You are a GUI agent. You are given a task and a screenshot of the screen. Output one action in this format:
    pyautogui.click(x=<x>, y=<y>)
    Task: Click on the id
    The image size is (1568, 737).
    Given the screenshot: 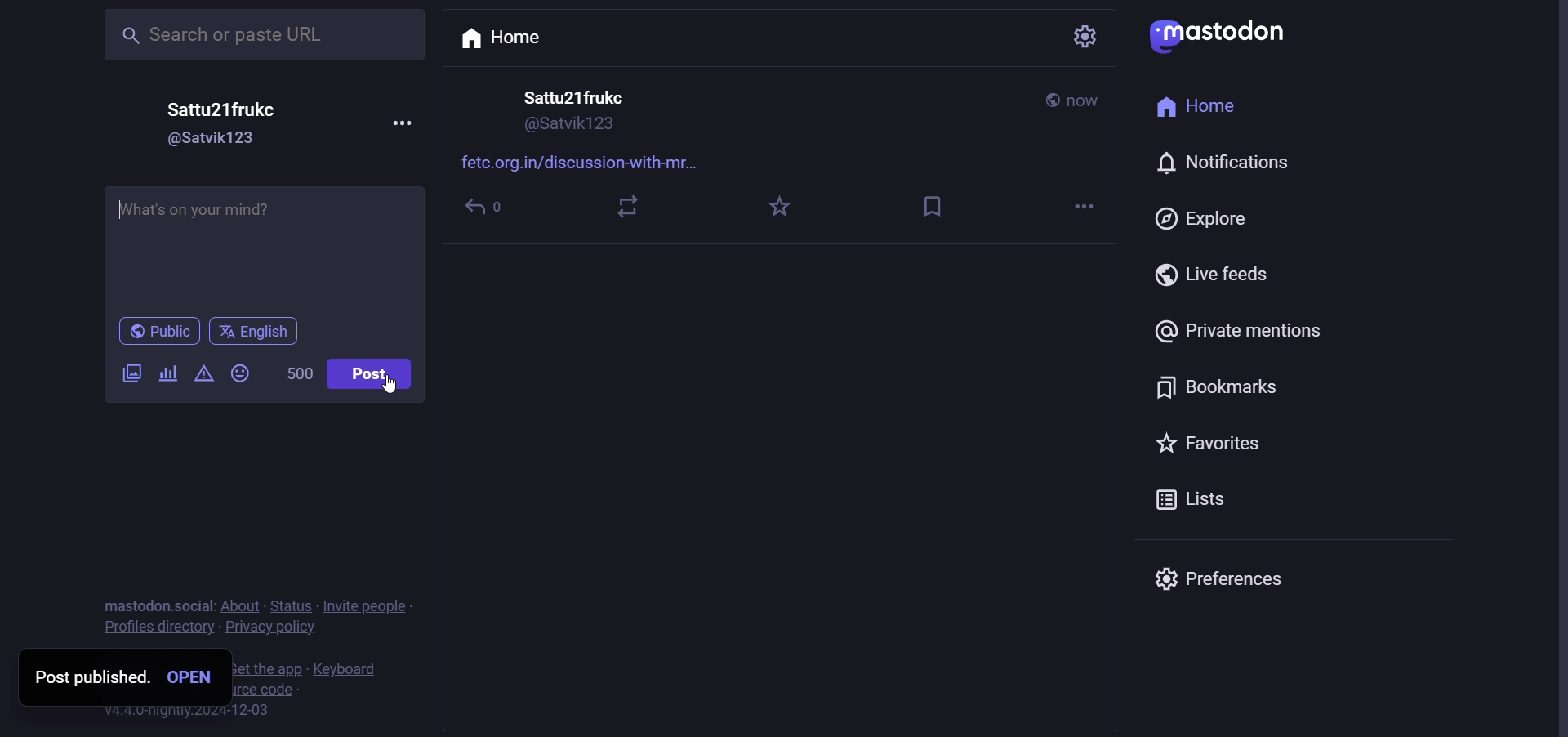 What is the action you would take?
    pyautogui.click(x=568, y=128)
    